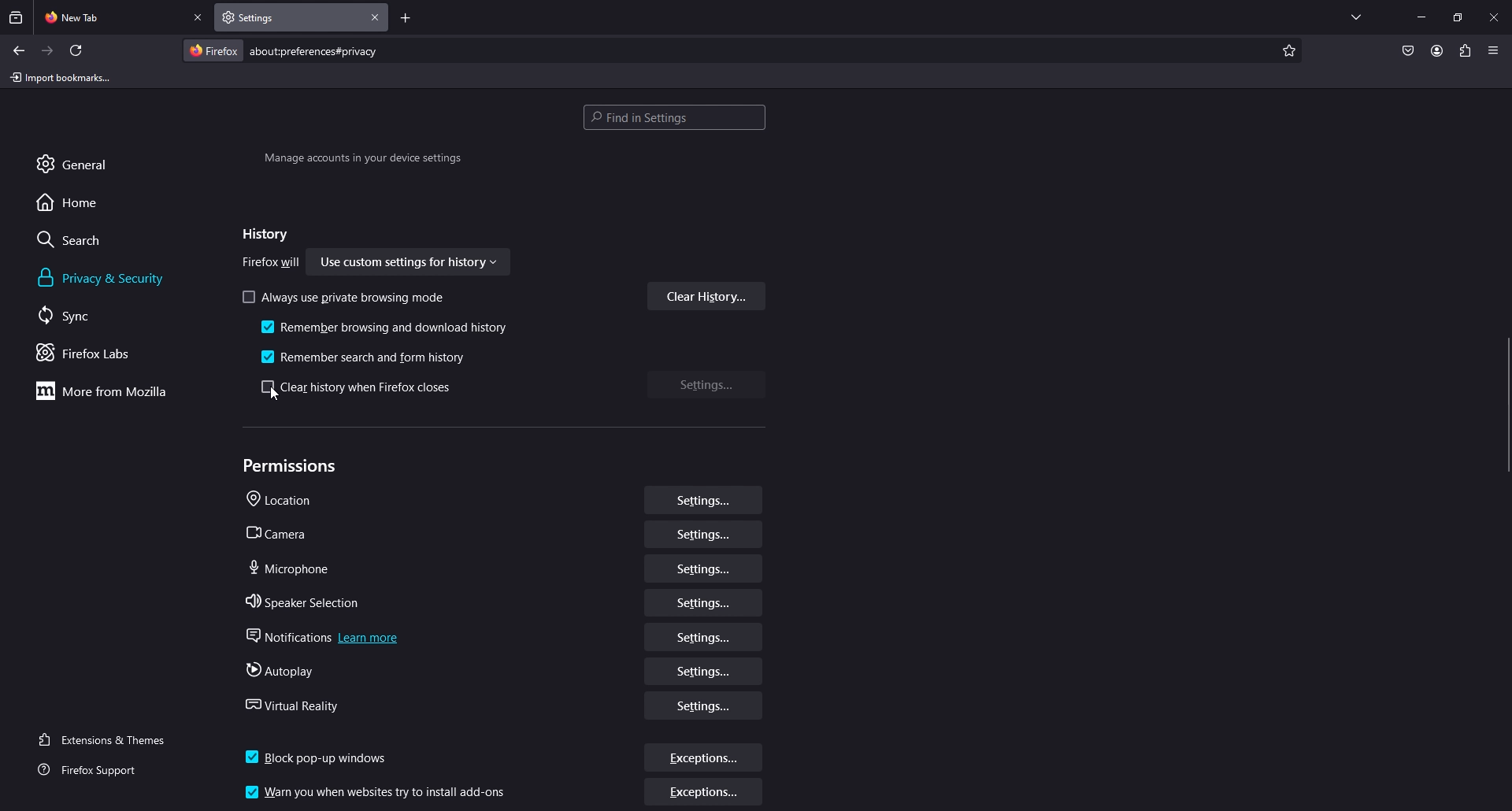 Image resolution: width=1512 pixels, height=811 pixels. I want to click on settings, so click(708, 383).